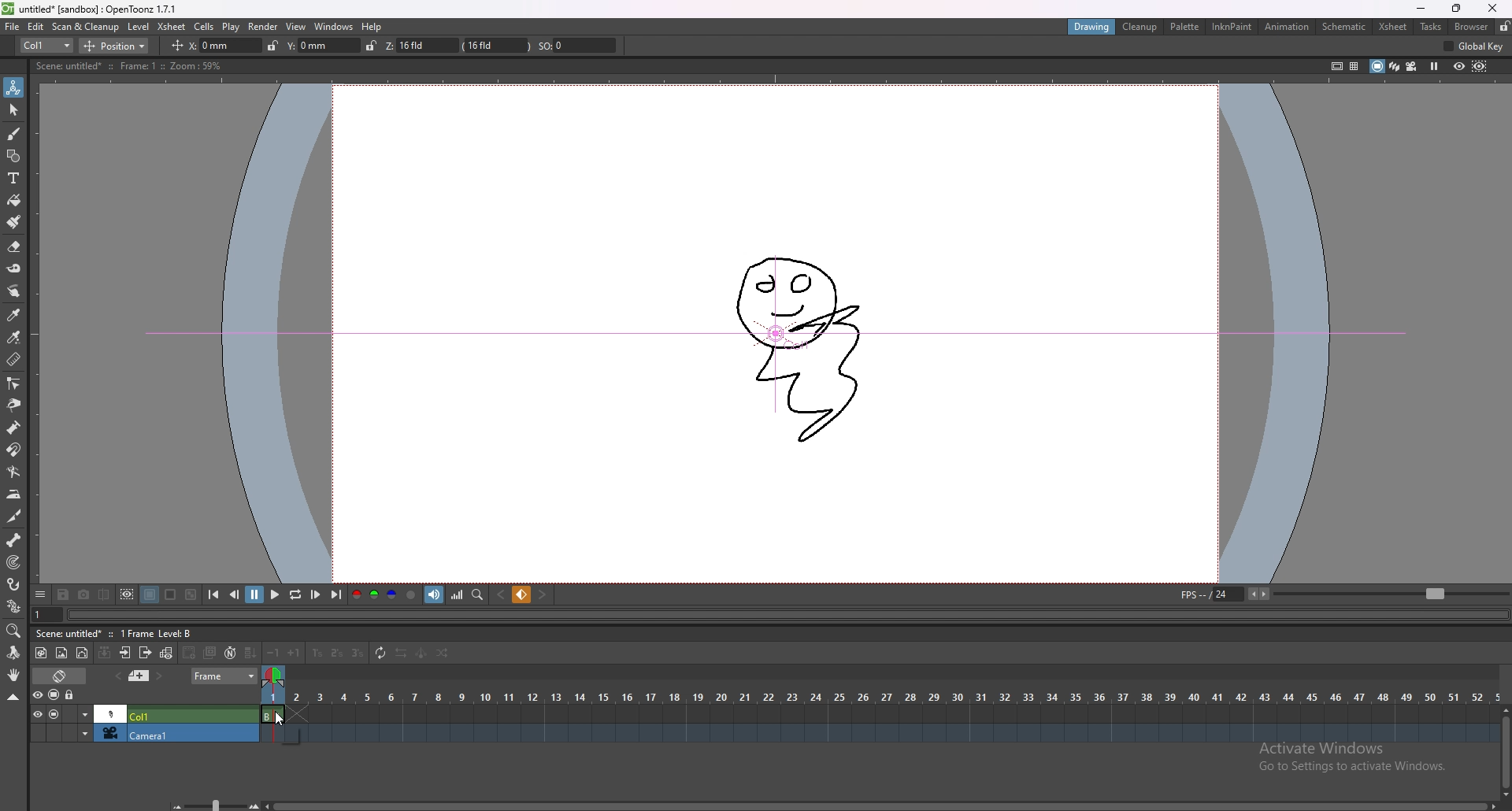 The image size is (1512, 811). I want to click on sub camera preview, so click(1480, 67).